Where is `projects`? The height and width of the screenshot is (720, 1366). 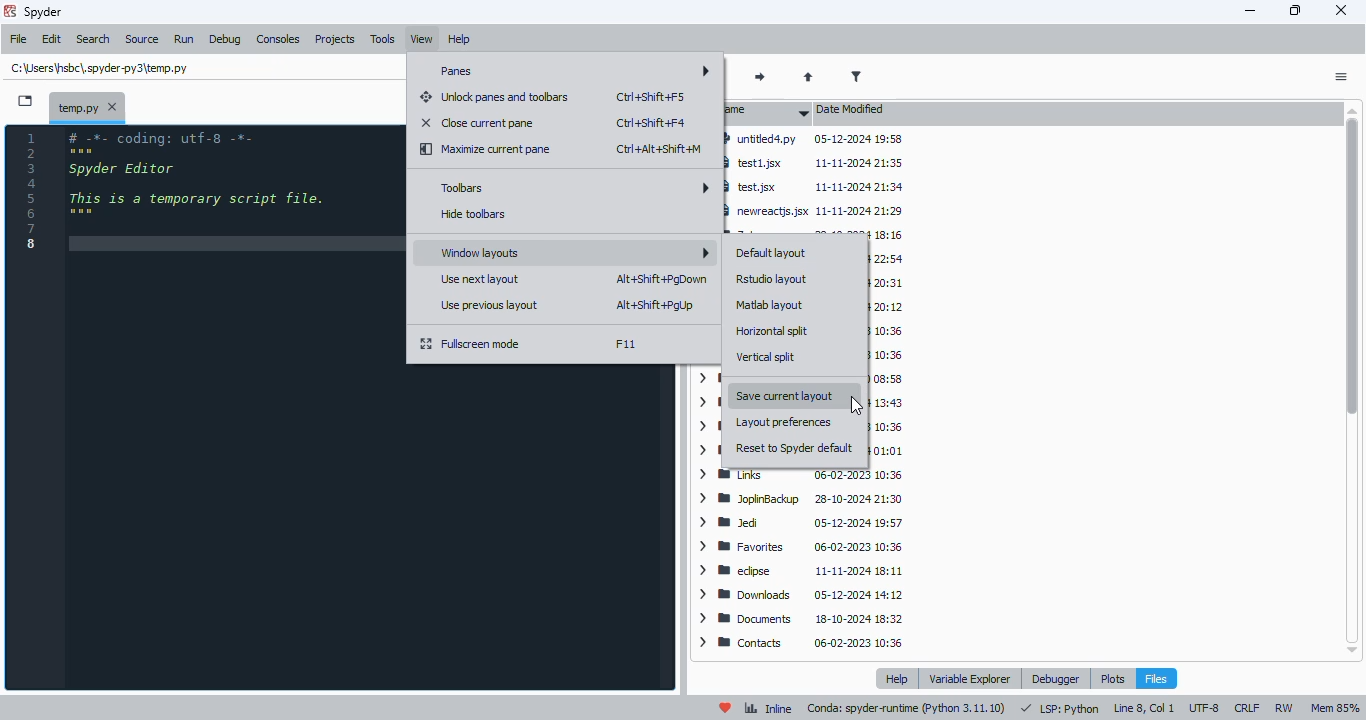 projects is located at coordinates (337, 39).